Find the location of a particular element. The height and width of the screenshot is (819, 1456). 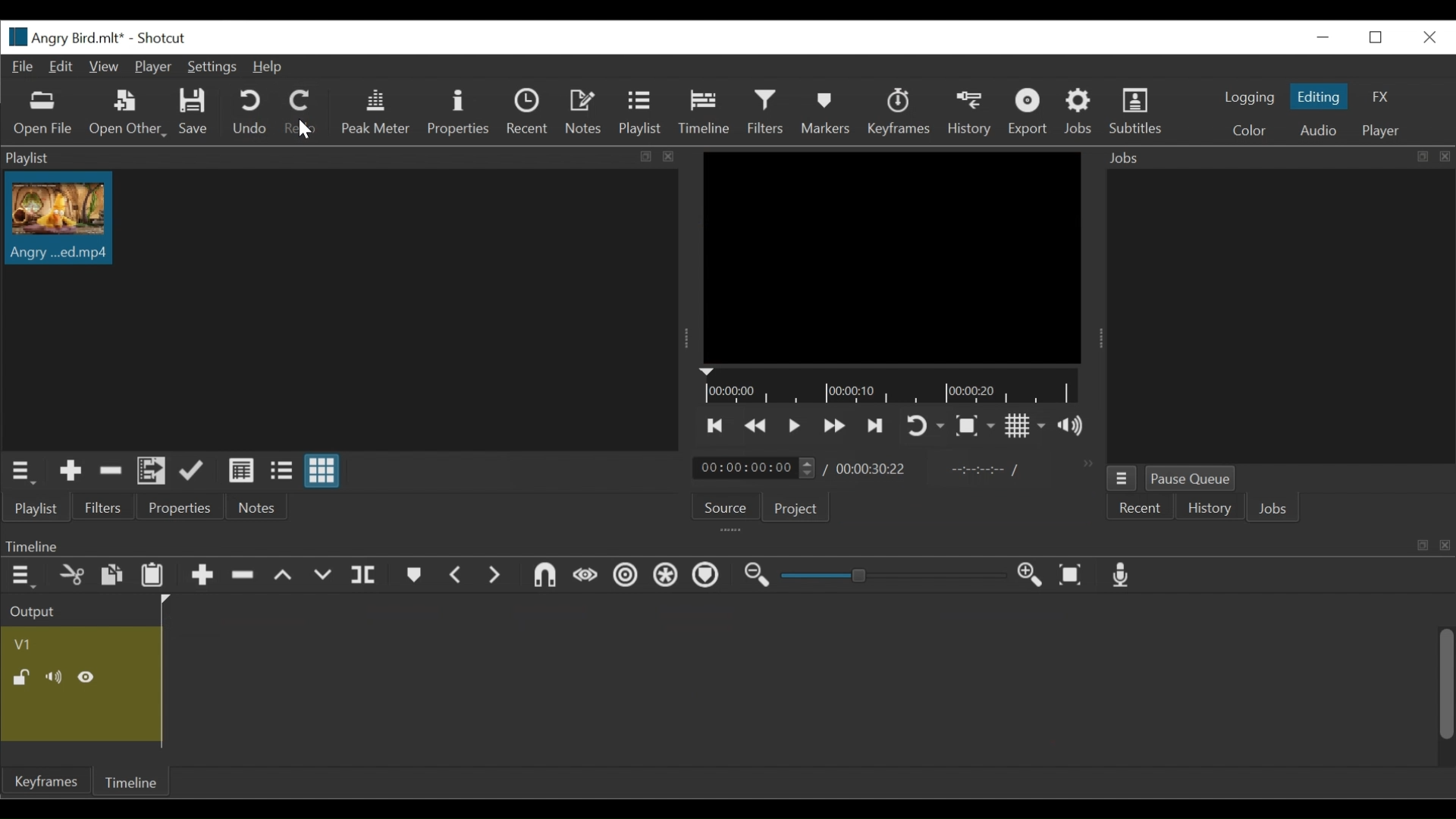

Edit is located at coordinates (61, 67).